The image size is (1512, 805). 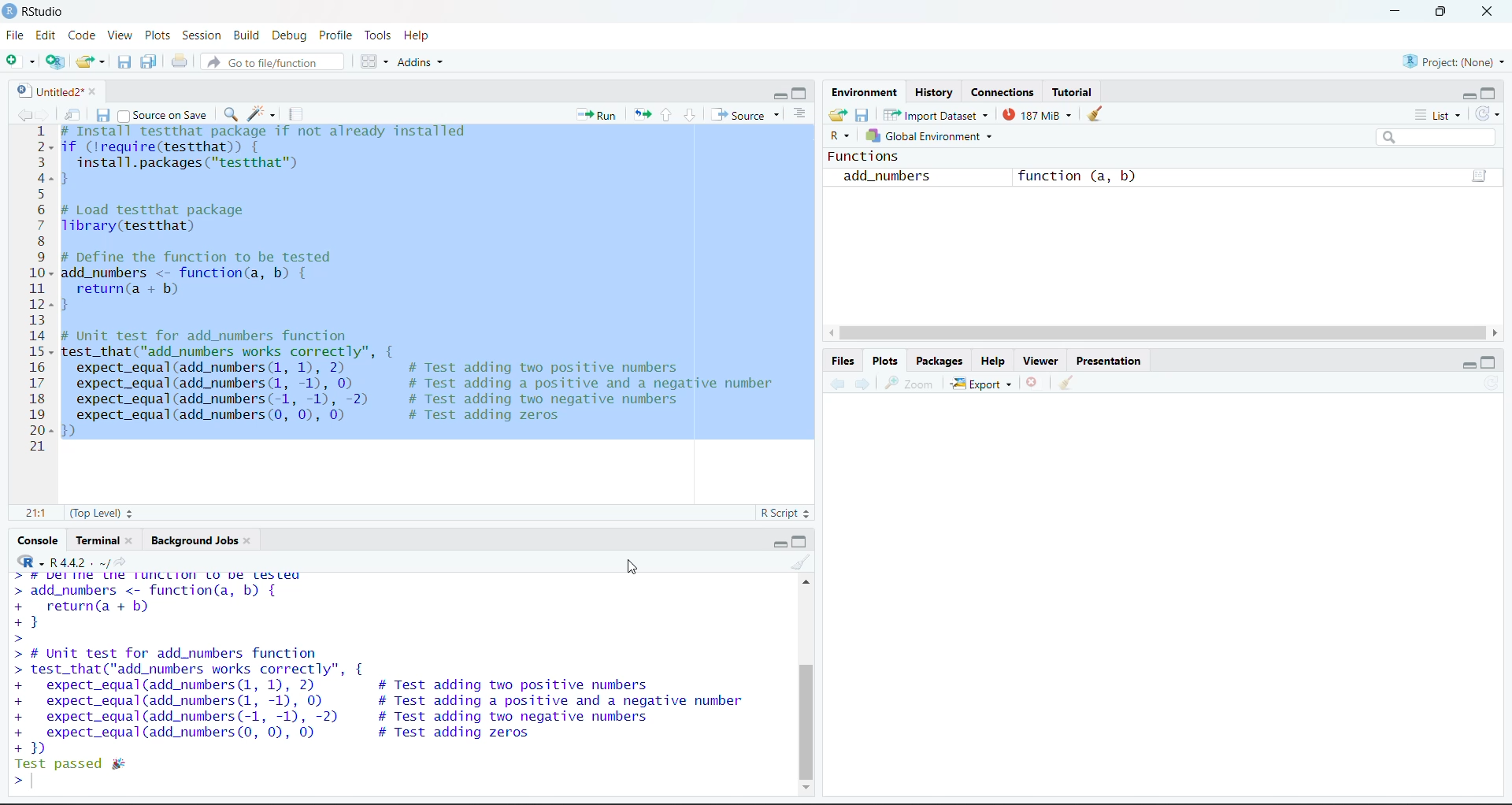 What do you see at coordinates (392, 669) in the screenshot?
I see `add_numbers <- function(a, b) {
return(a + b)

}

# Unit test for add_numbers function

test_that("add_numbers works correctly", {
expect_equal (add_numbers (1, 1), 2) # Test adding two positive numbers
expect_equal (add_numbers (1, -1), 0) # Test adding a positive and a negative number
expect_equal (add_numbers (-1, -1), -2) # Test adding two negative numbers
expect_equal (add_numbers (0, 0), 0) # Test adding zeros

1)` at bounding box center [392, 669].